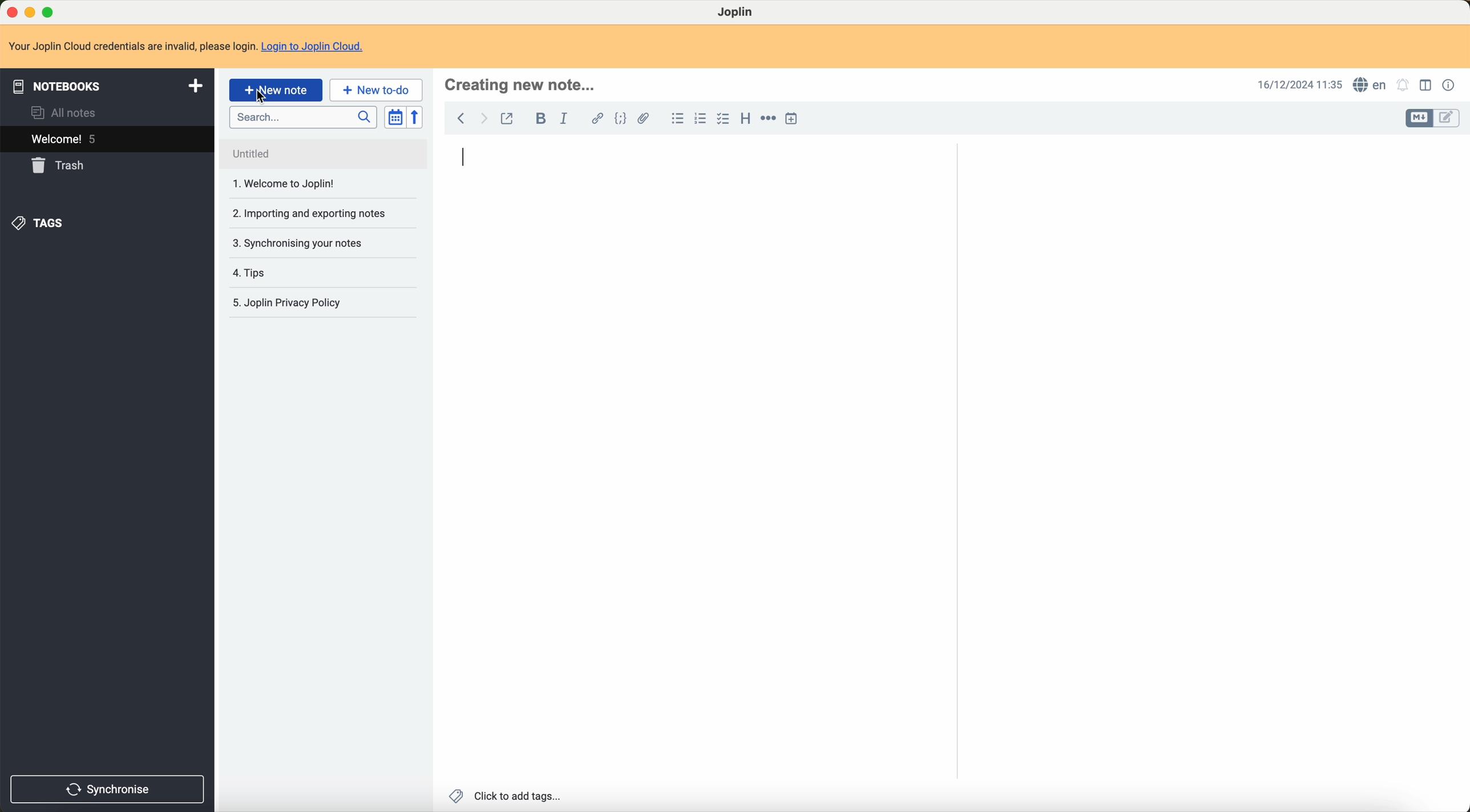  What do you see at coordinates (293, 302) in the screenshot?
I see `5.Joplin privacy policy` at bounding box center [293, 302].